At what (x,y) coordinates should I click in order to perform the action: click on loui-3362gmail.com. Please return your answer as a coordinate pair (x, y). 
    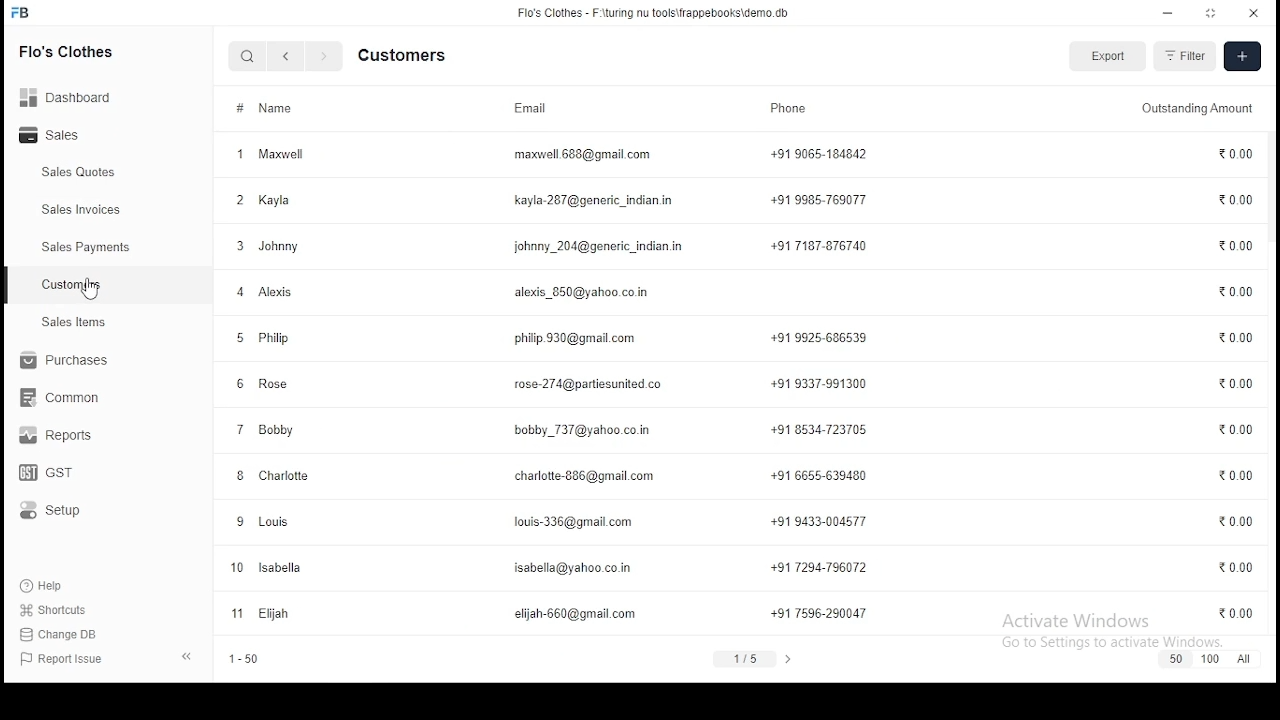
    Looking at the image, I should click on (579, 523).